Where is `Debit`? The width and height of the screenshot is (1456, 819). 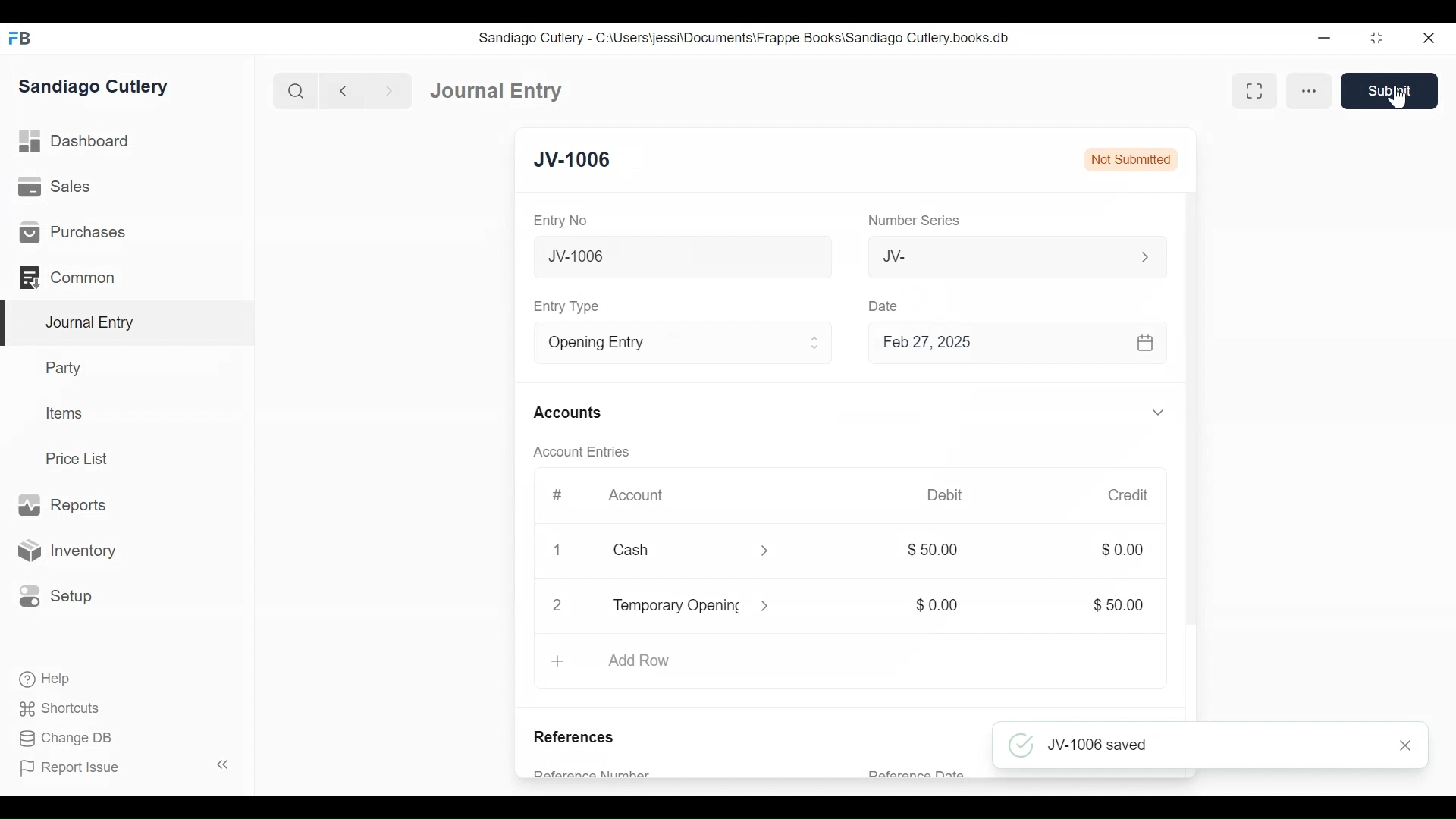
Debit is located at coordinates (946, 494).